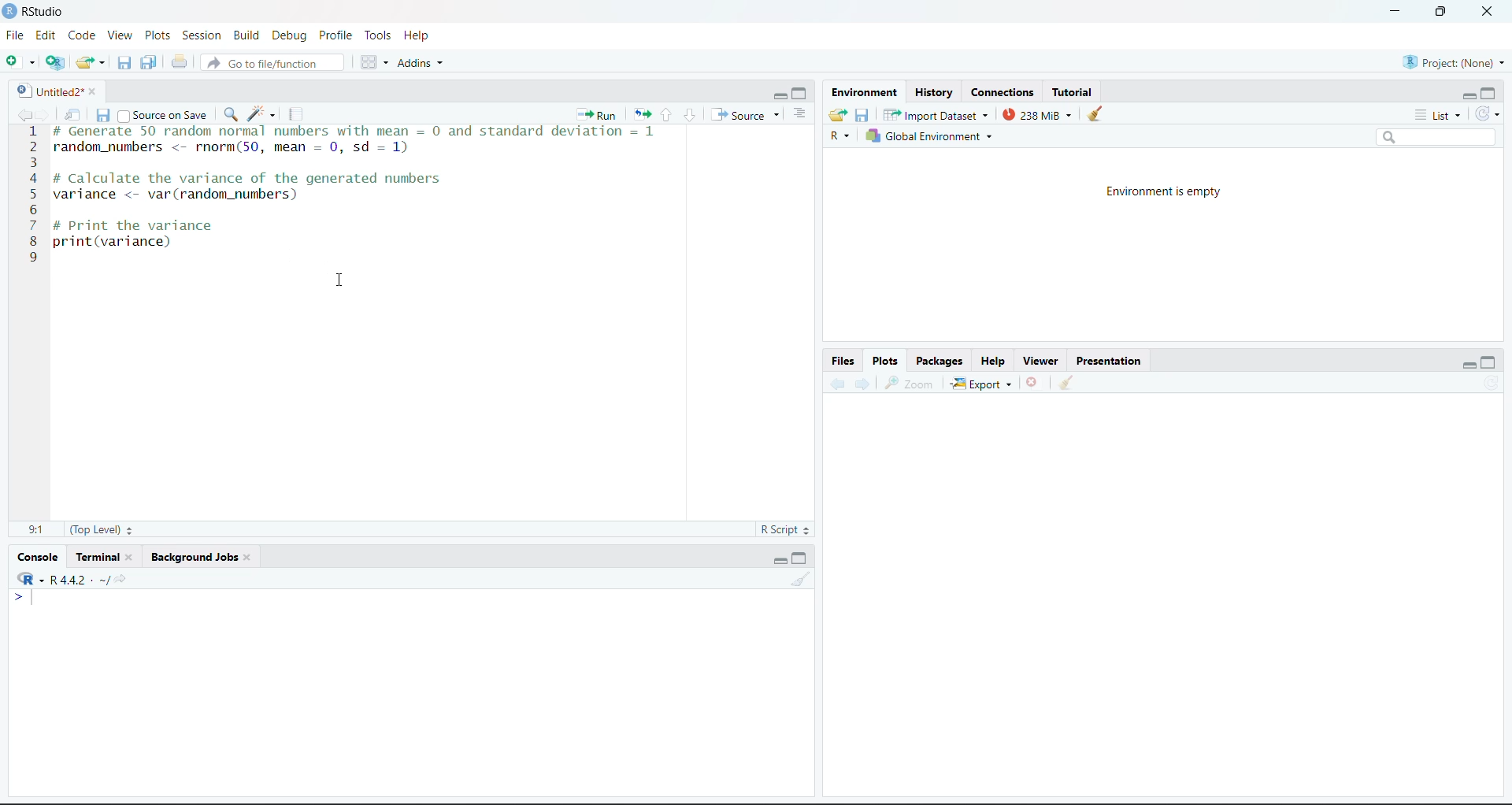 The width and height of the screenshot is (1512, 805). I want to click on code tools, so click(262, 114).